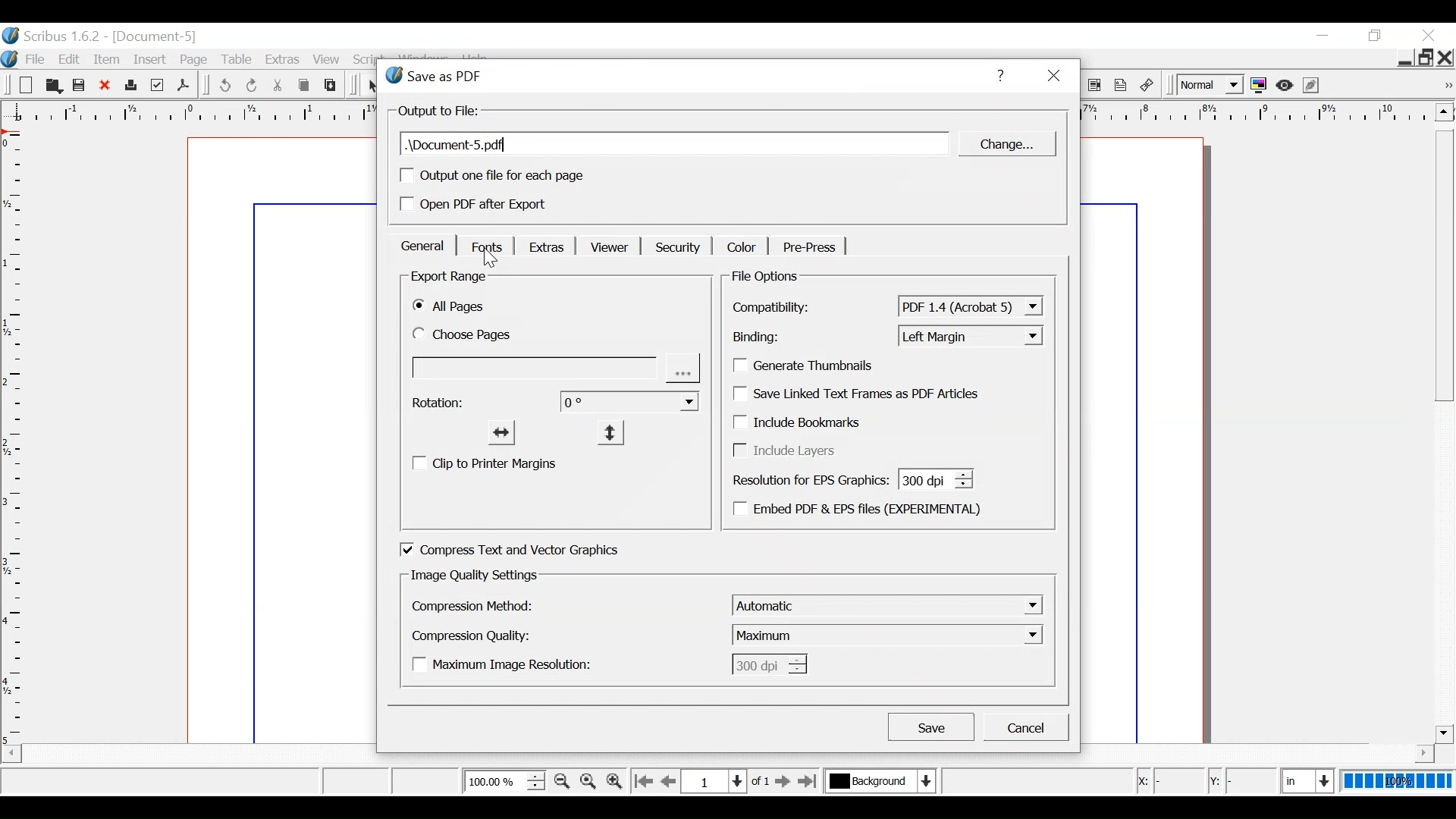 The width and height of the screenshot is (1456, 819). I want to click on Select Rotation, so click(630, 400).